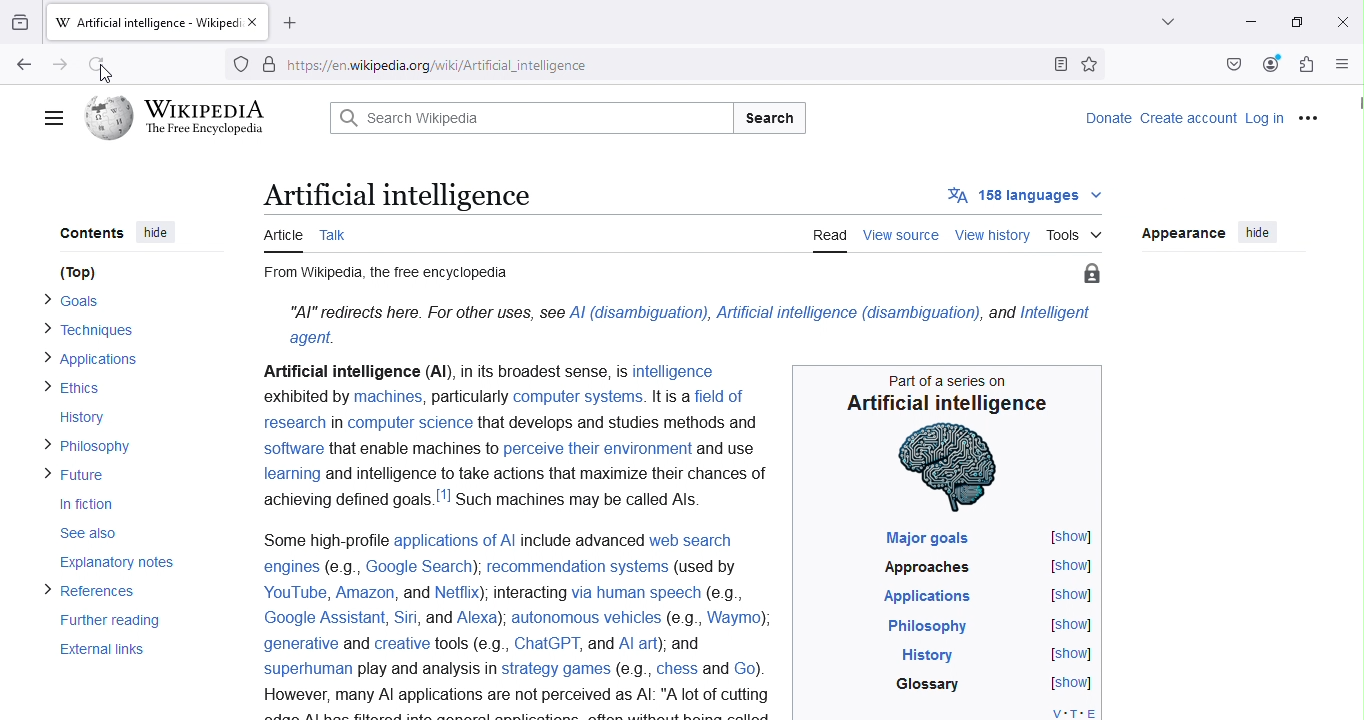  I want to click on particularly, so click(471, 399).